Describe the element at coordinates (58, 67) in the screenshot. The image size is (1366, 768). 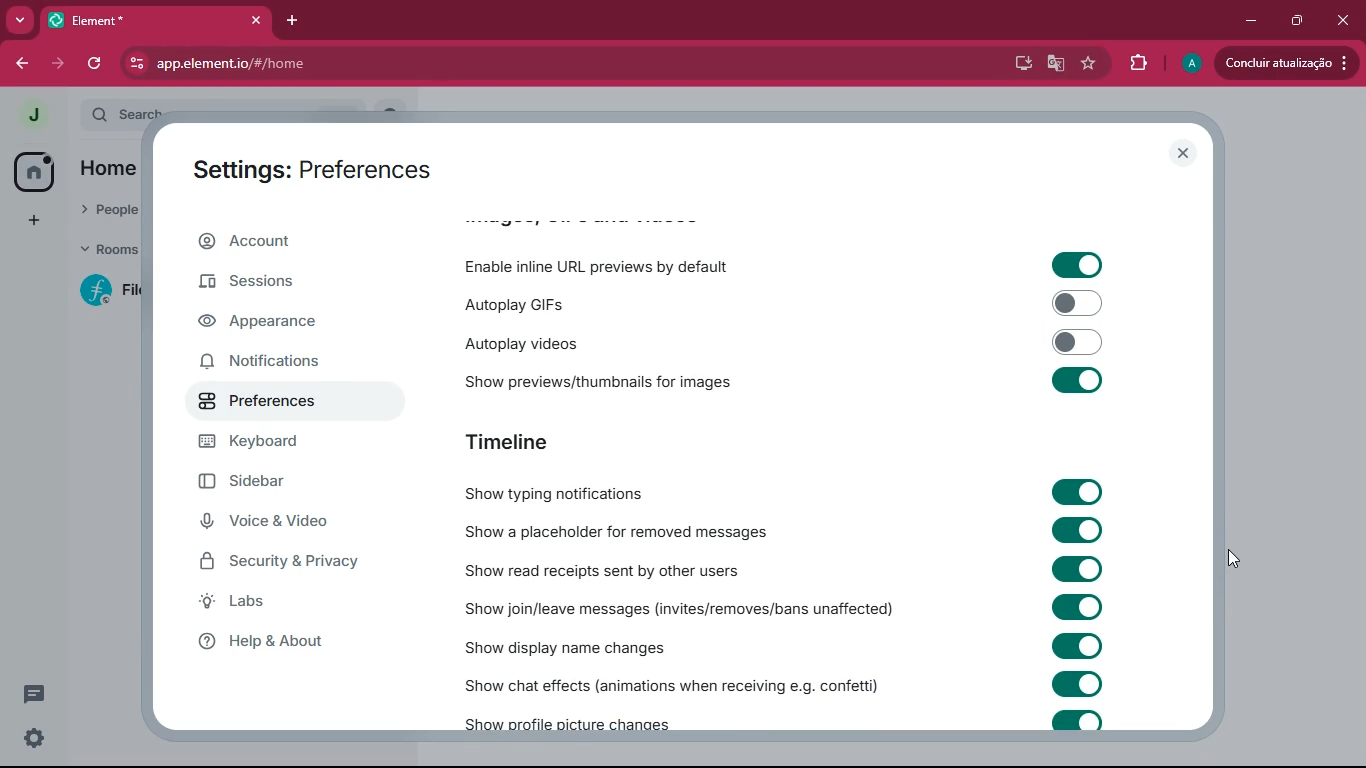
I see `forward` at that location.